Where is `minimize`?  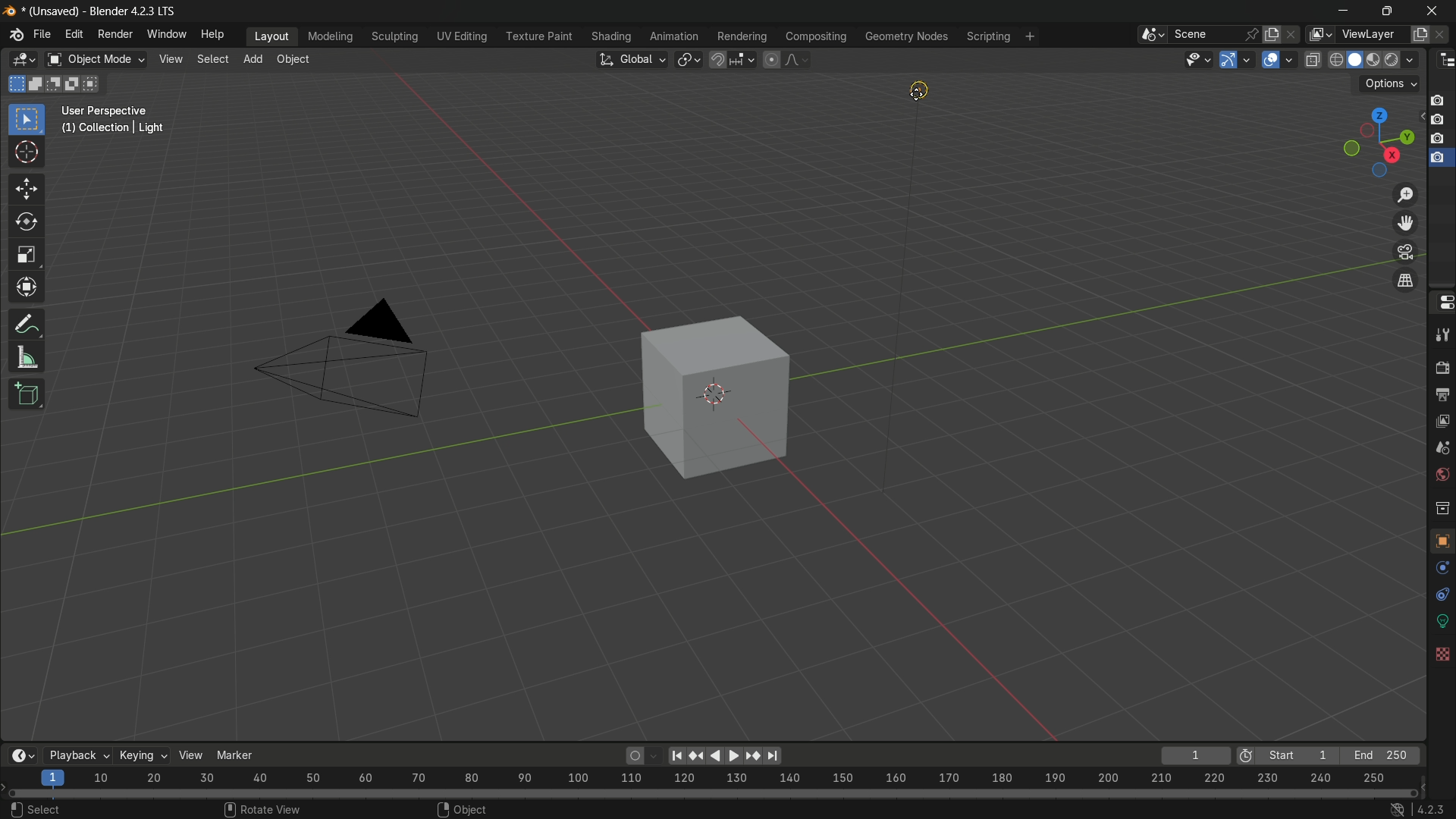
minimize is located at coordinates (1349, 13).